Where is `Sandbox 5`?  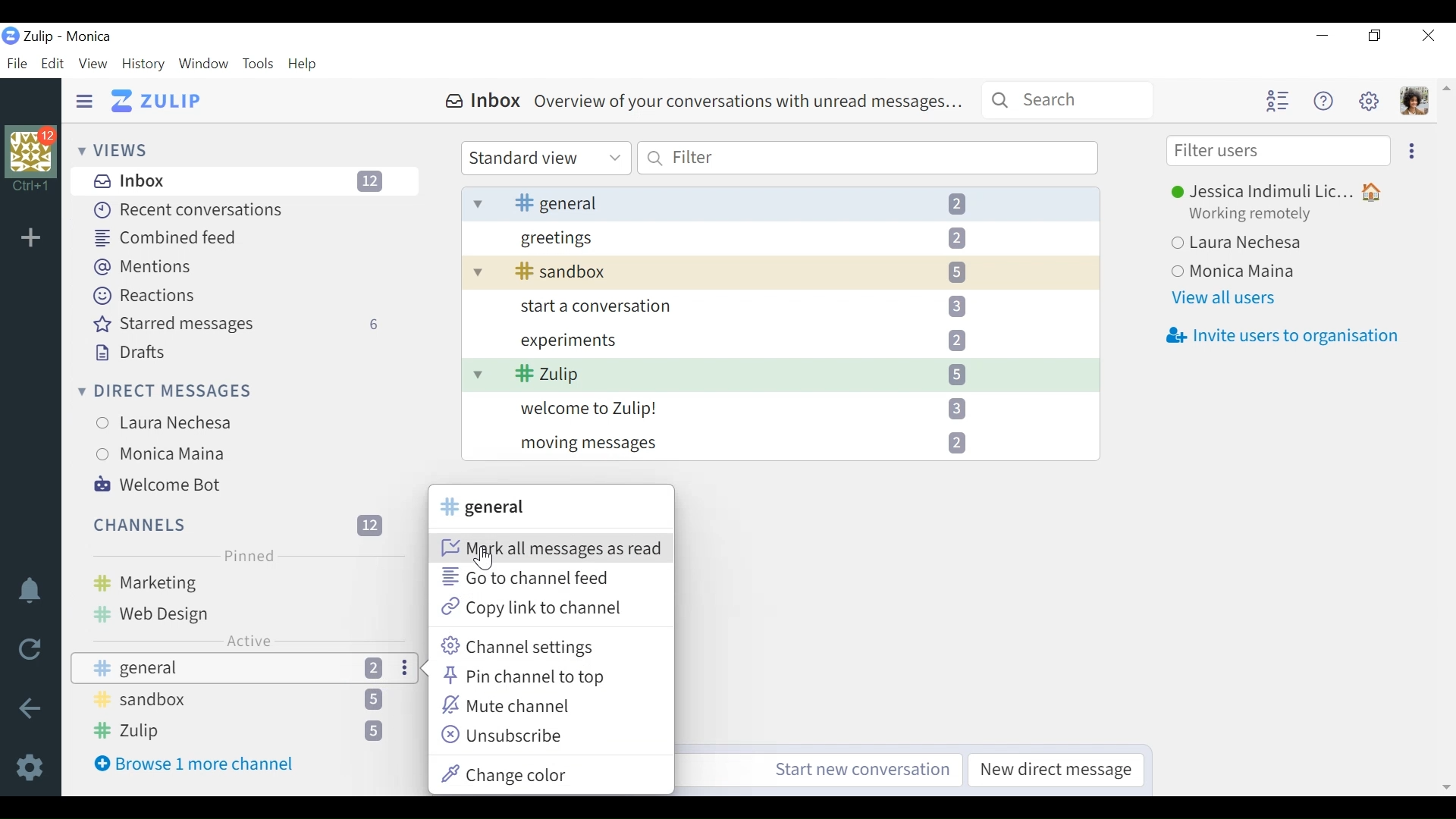 Sandbox 5 is located at coordinates (780, 272).